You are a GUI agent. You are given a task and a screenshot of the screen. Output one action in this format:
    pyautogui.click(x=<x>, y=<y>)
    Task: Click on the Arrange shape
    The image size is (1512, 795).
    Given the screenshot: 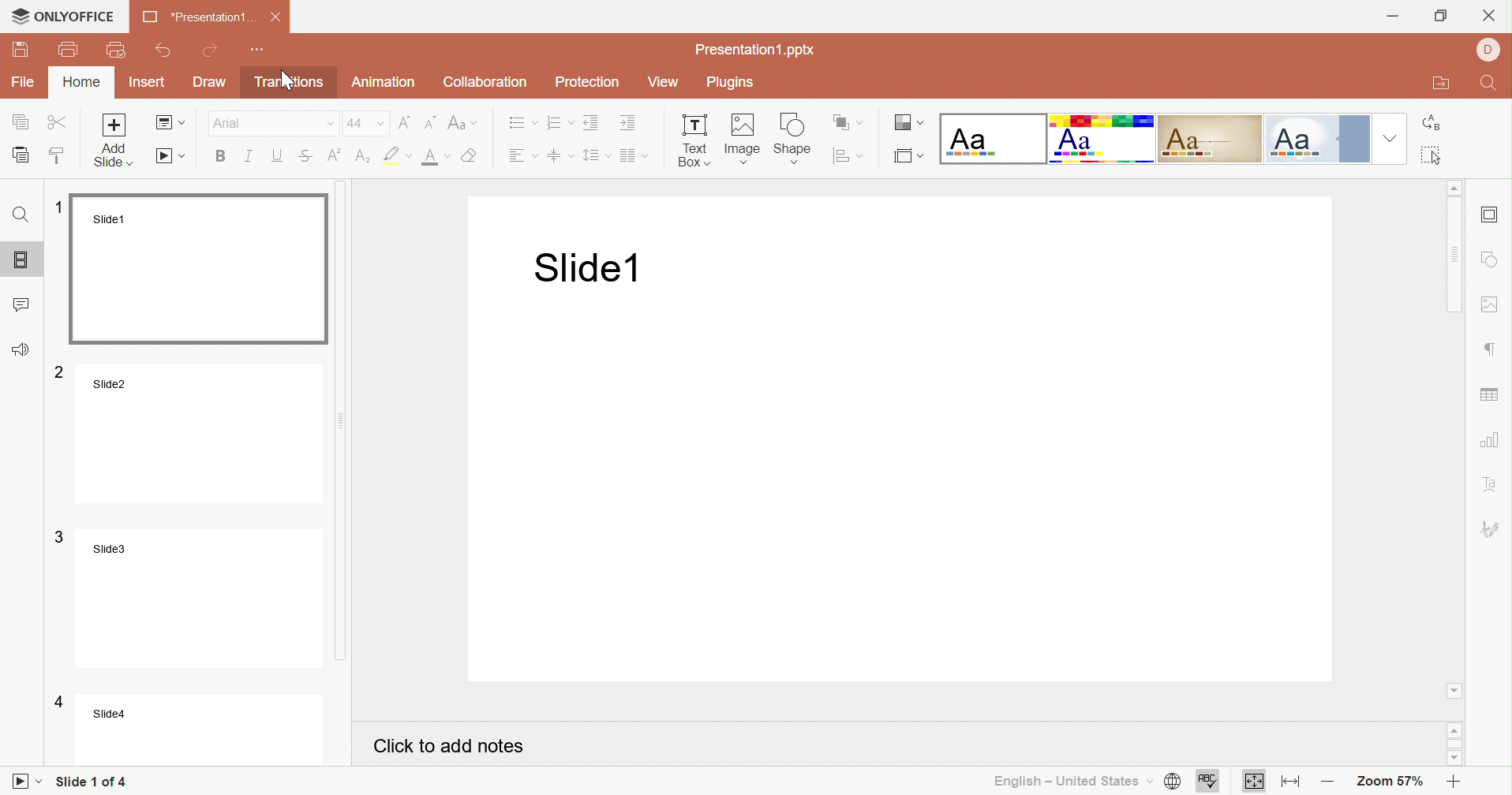 What is the action you would take?
    pyautogui.click(x=849, y=121)
    